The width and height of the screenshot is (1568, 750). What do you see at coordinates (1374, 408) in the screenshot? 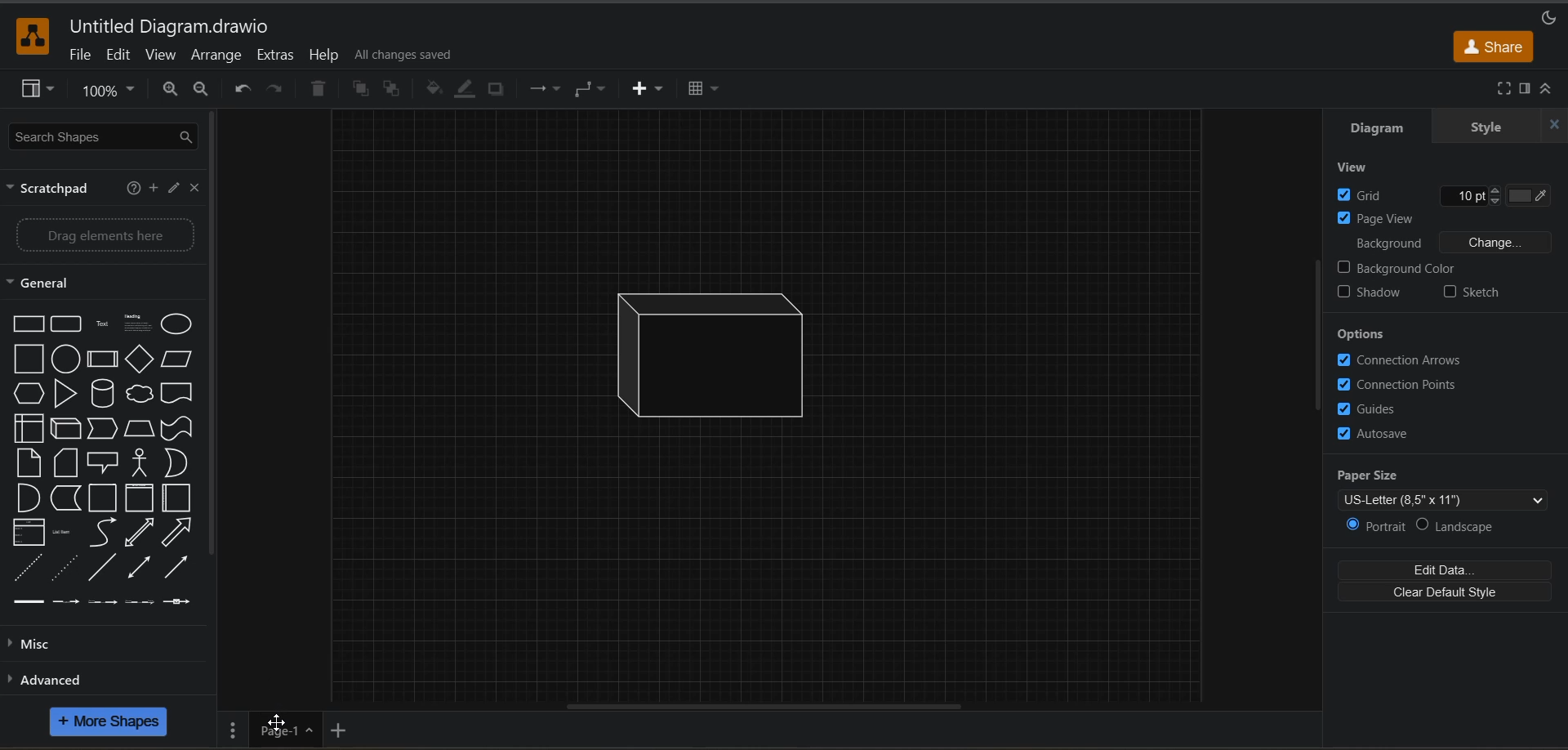
I see `guides` at bounding box center [1374, 408].